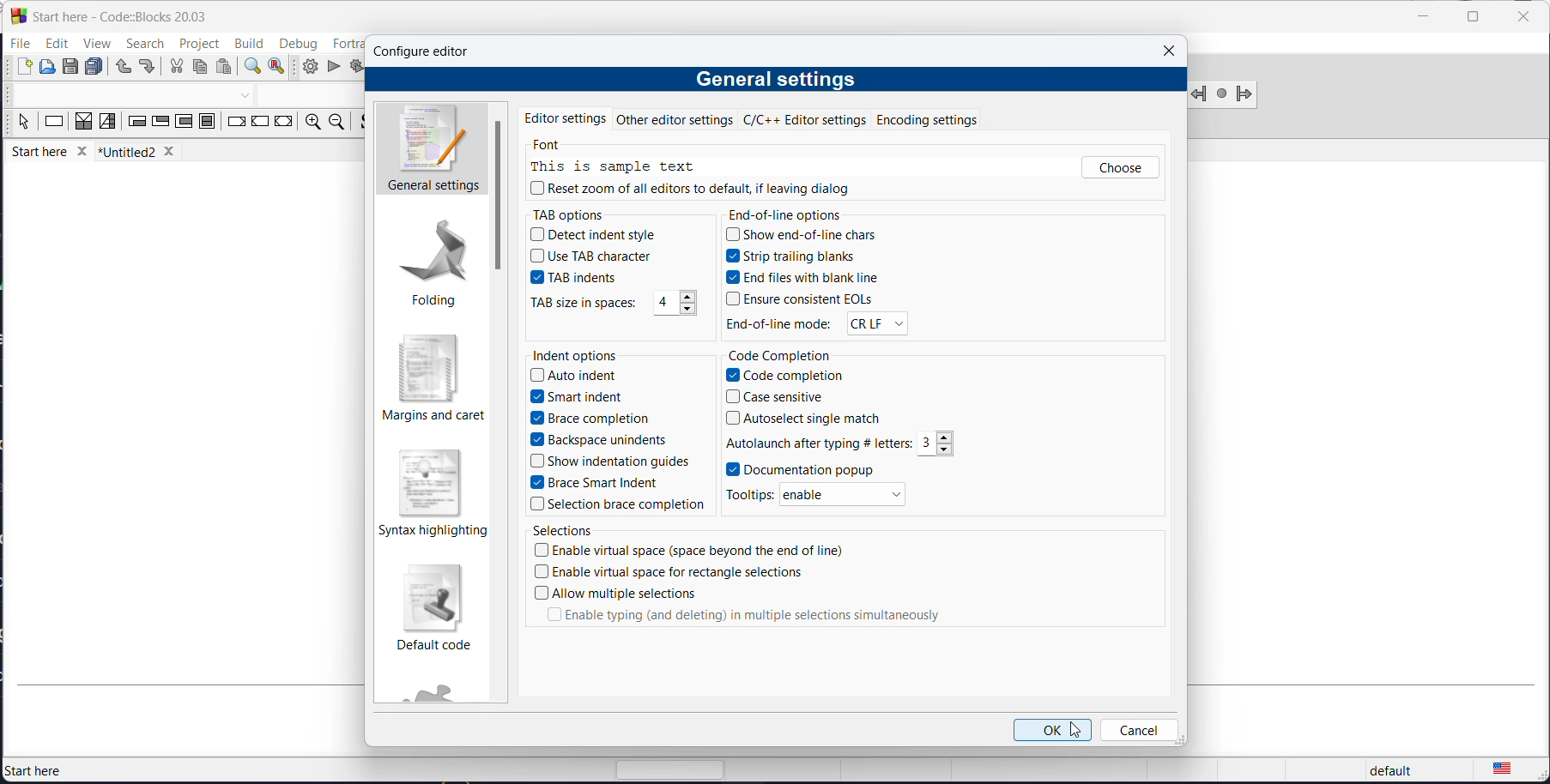 Image resolution: width=1550 pixels, height=784 pixels. What do you see at coordinates (277, 69) in the screenshot?
I see `replace` at bounding box center [277, 69].